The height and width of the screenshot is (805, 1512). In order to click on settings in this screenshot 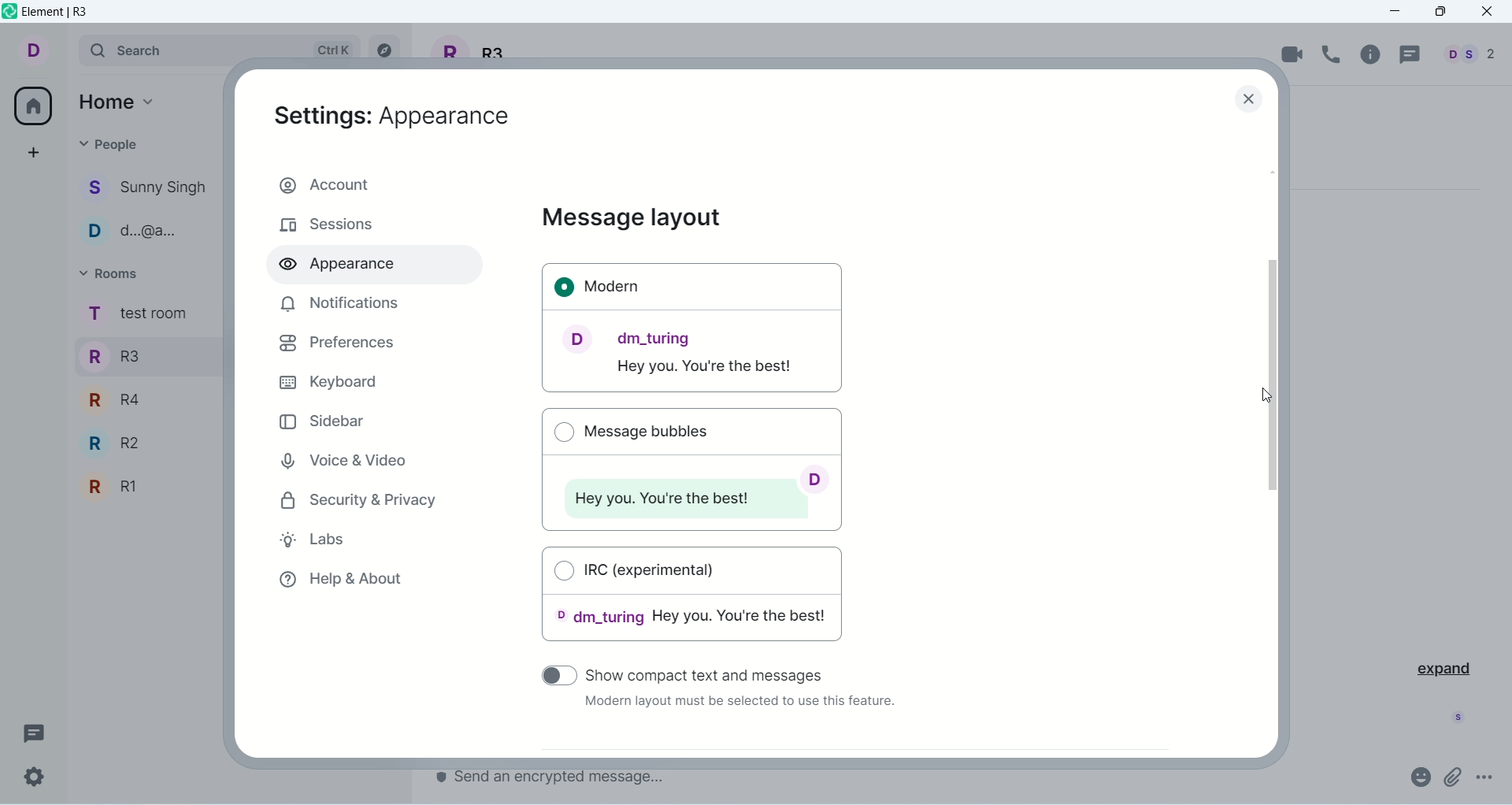, I will do `click(35, 777)`.